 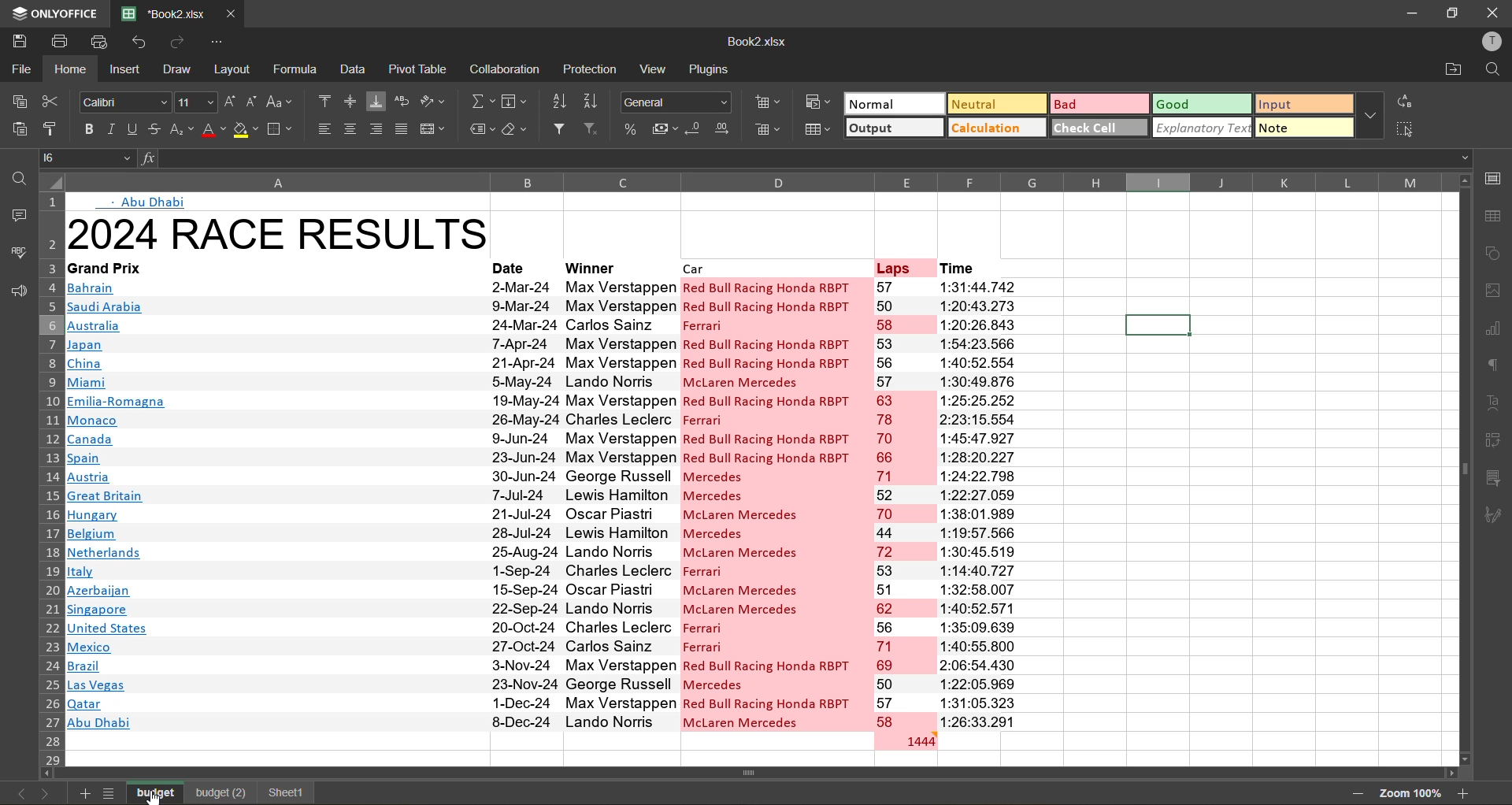 What do you see at coordinates (618, 504) in the screenshot?
I see `winner name` at bounding box center [618, 504].